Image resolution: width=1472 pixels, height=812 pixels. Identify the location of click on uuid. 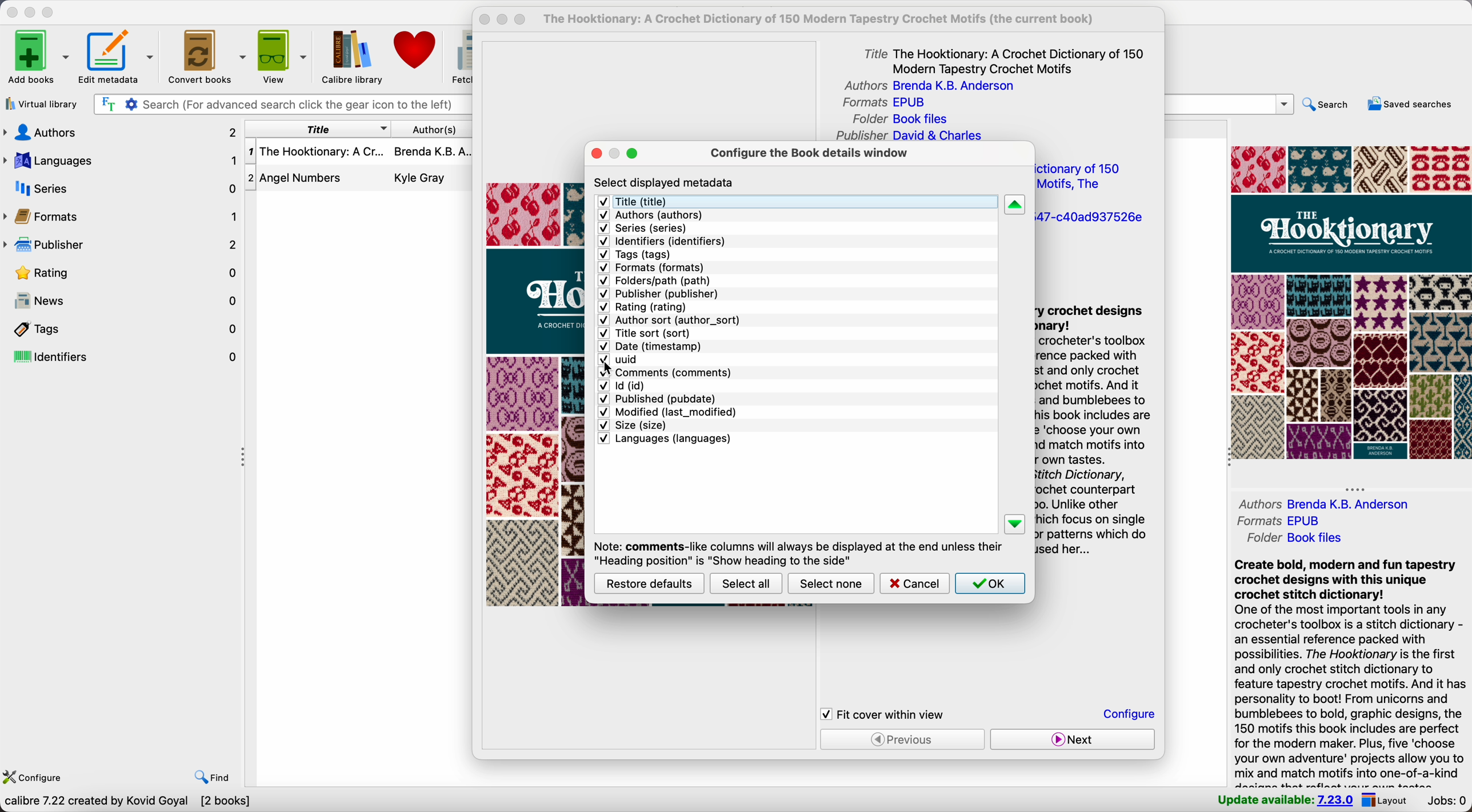
(619, 361).